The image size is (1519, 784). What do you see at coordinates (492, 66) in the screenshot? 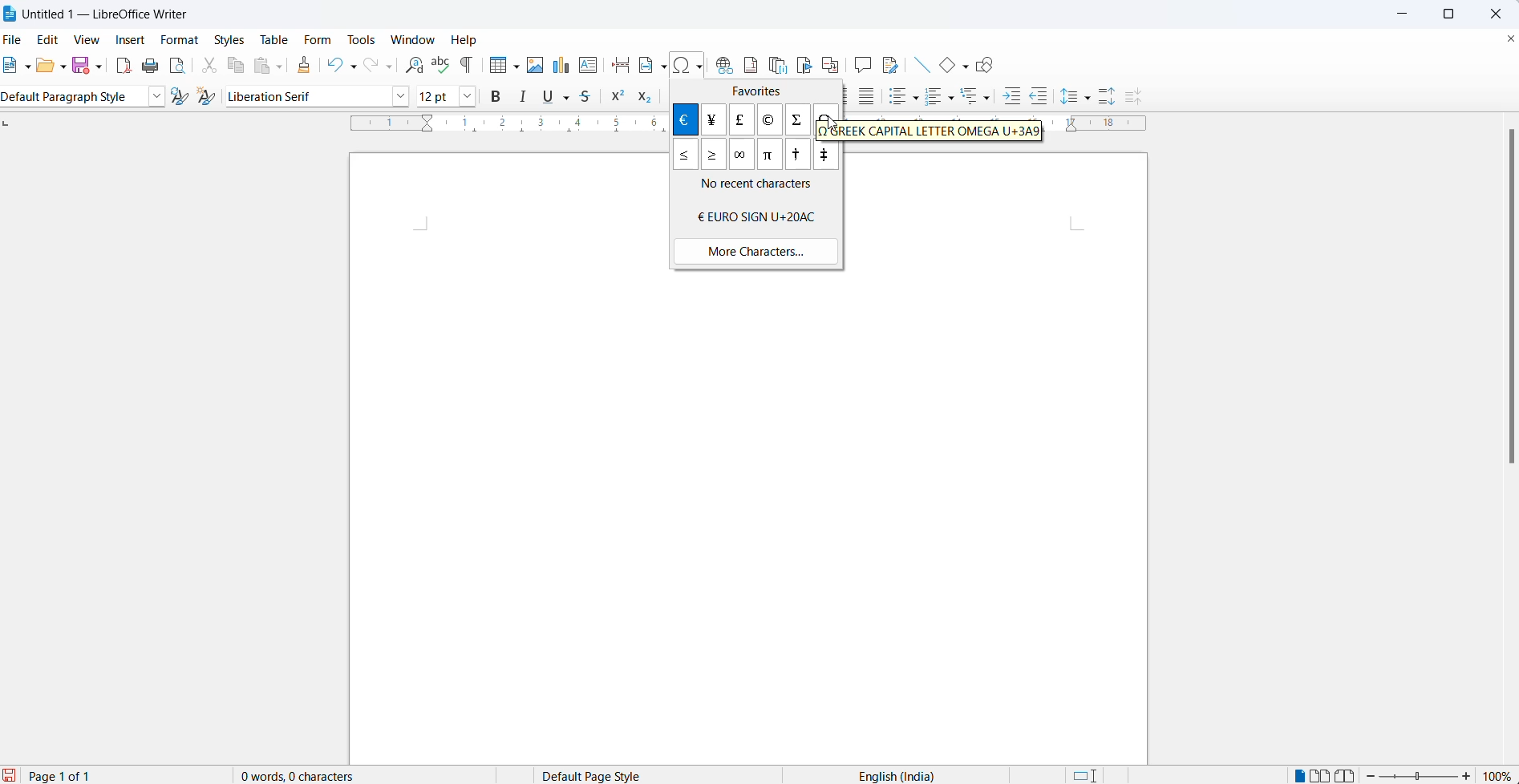
I see `insert table` at bounding box center [492, 66].